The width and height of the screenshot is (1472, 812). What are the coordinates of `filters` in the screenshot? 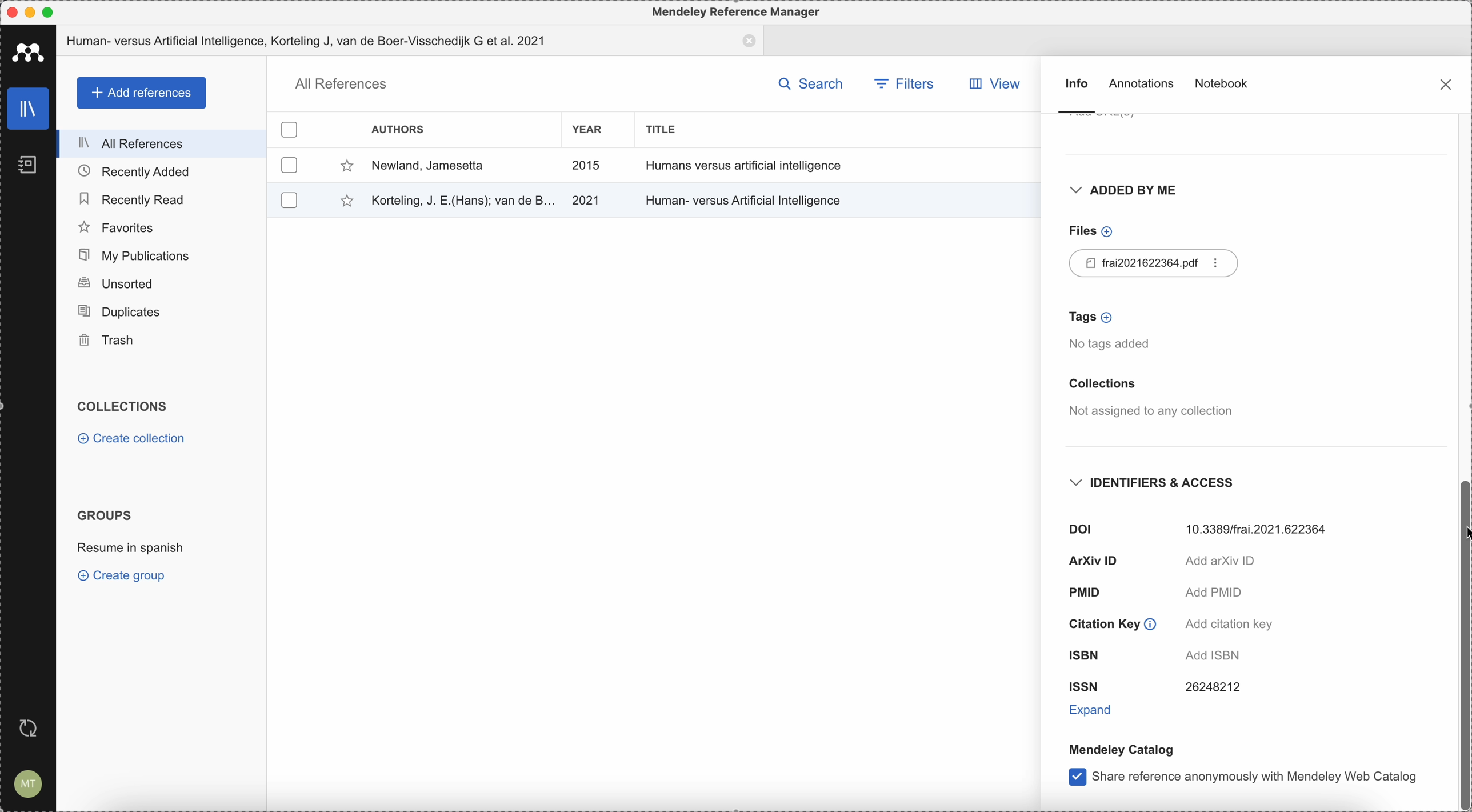 It's located at (903, 82).